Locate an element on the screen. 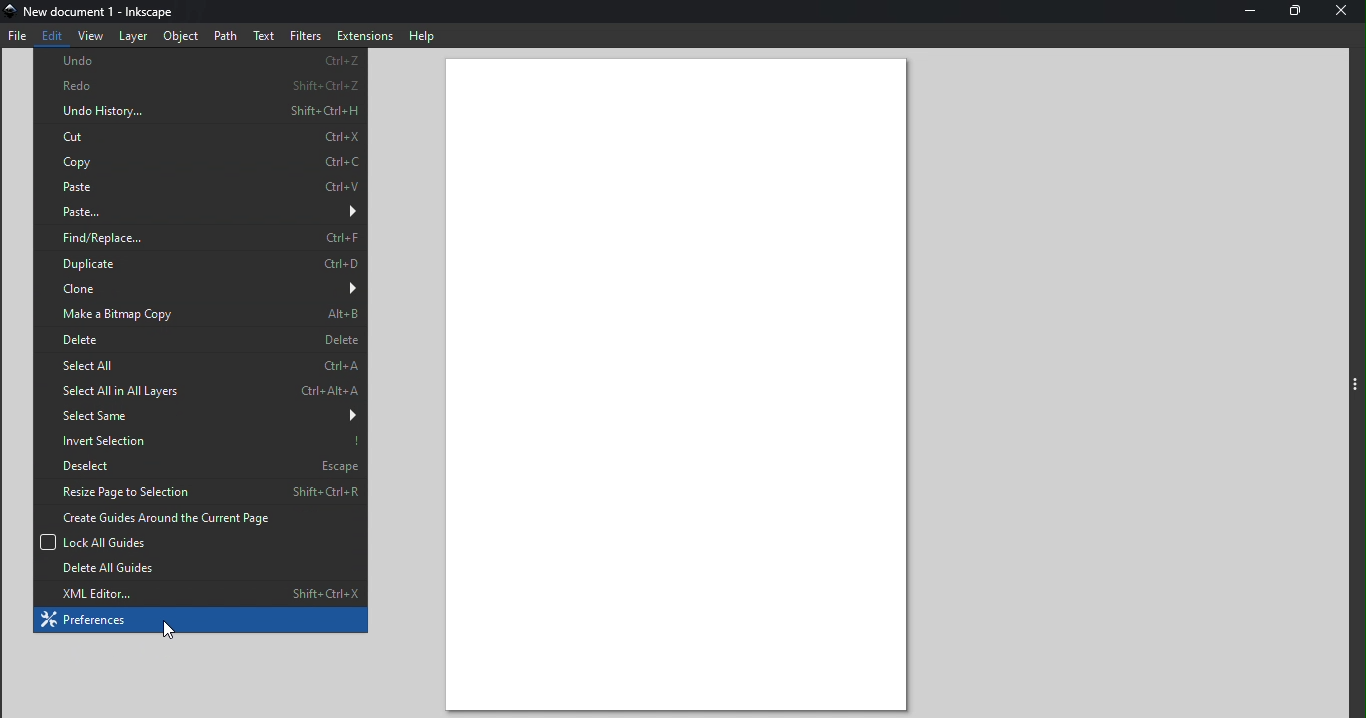 This screenshot has height=718, width=1366. Minimize is located at coordinates (1246, 12).